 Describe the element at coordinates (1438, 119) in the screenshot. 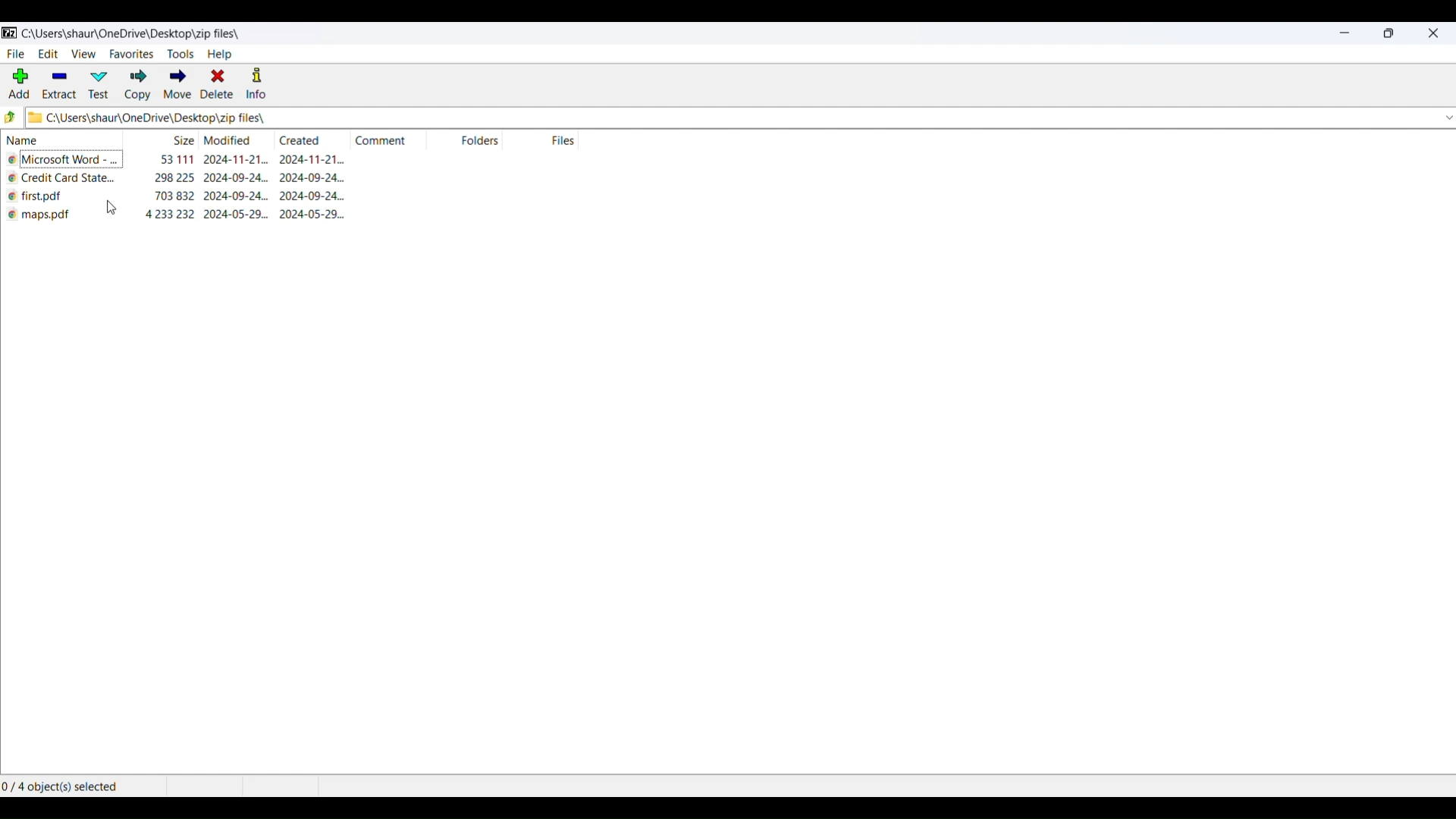

I see `down button` at that location.